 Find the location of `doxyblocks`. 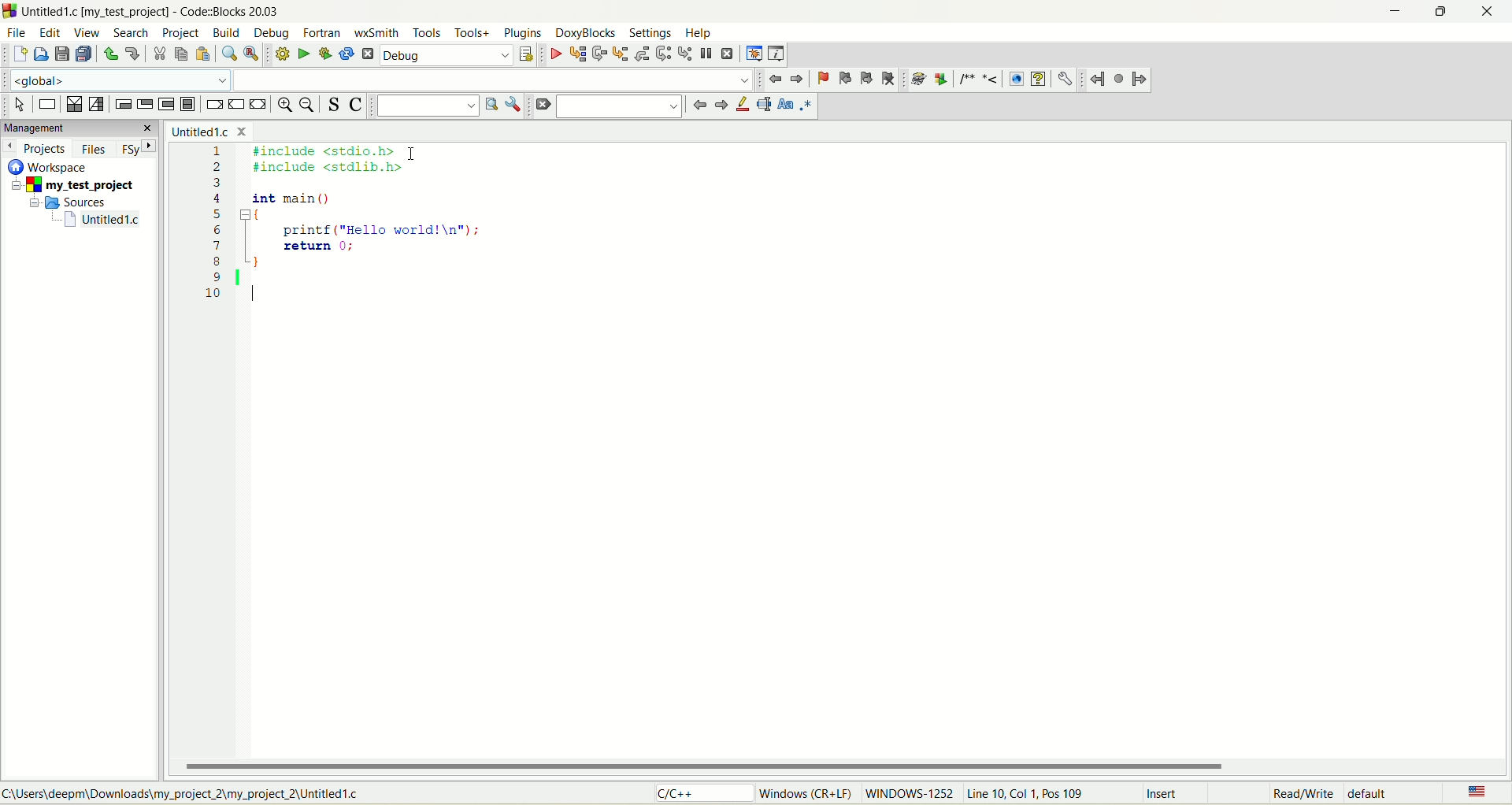

doxyblocks is located at coordinates (584, 32).